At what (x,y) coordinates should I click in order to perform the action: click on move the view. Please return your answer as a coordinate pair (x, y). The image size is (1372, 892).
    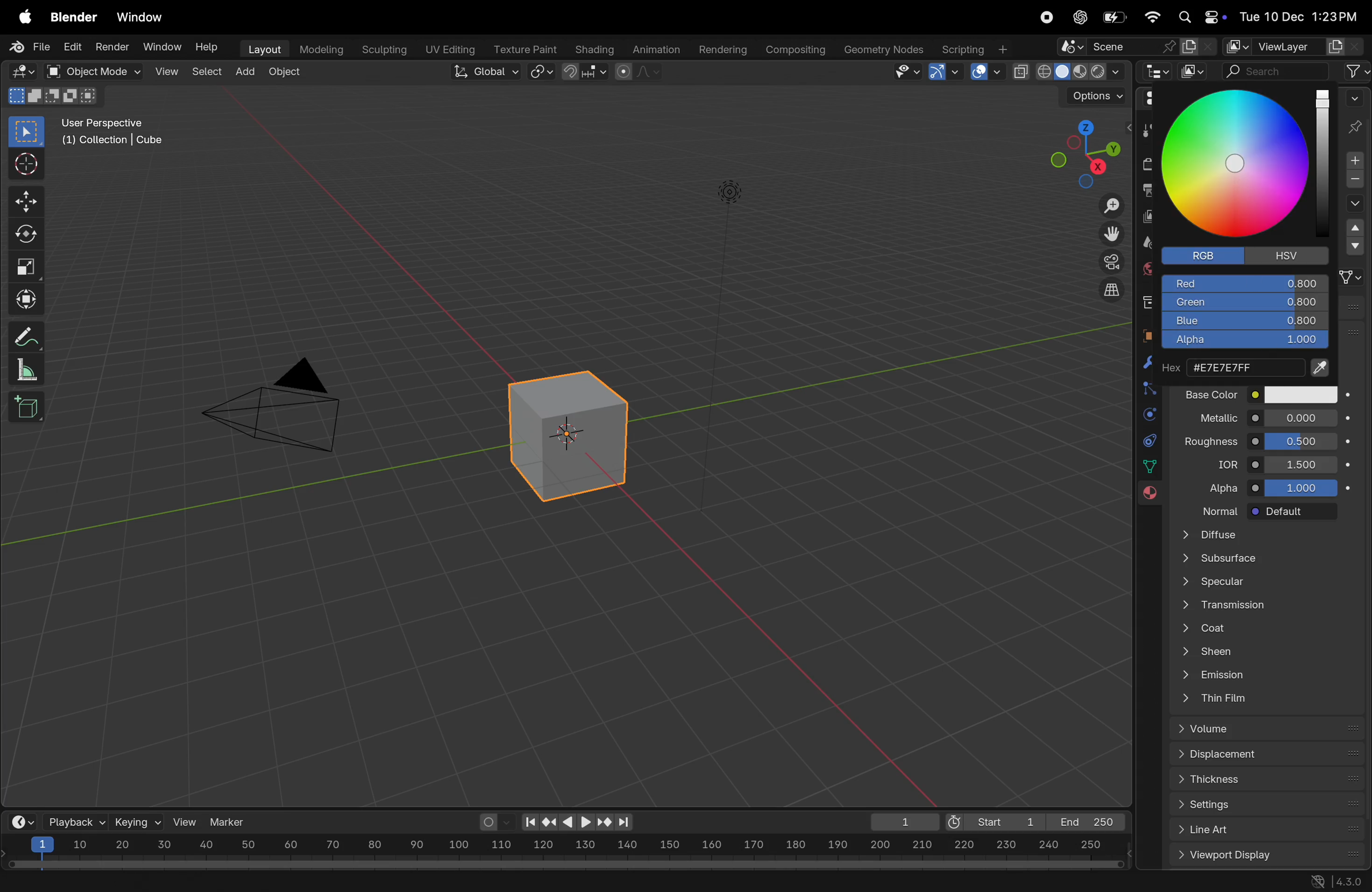
    Looking at the image, I should click on (1111, 232).